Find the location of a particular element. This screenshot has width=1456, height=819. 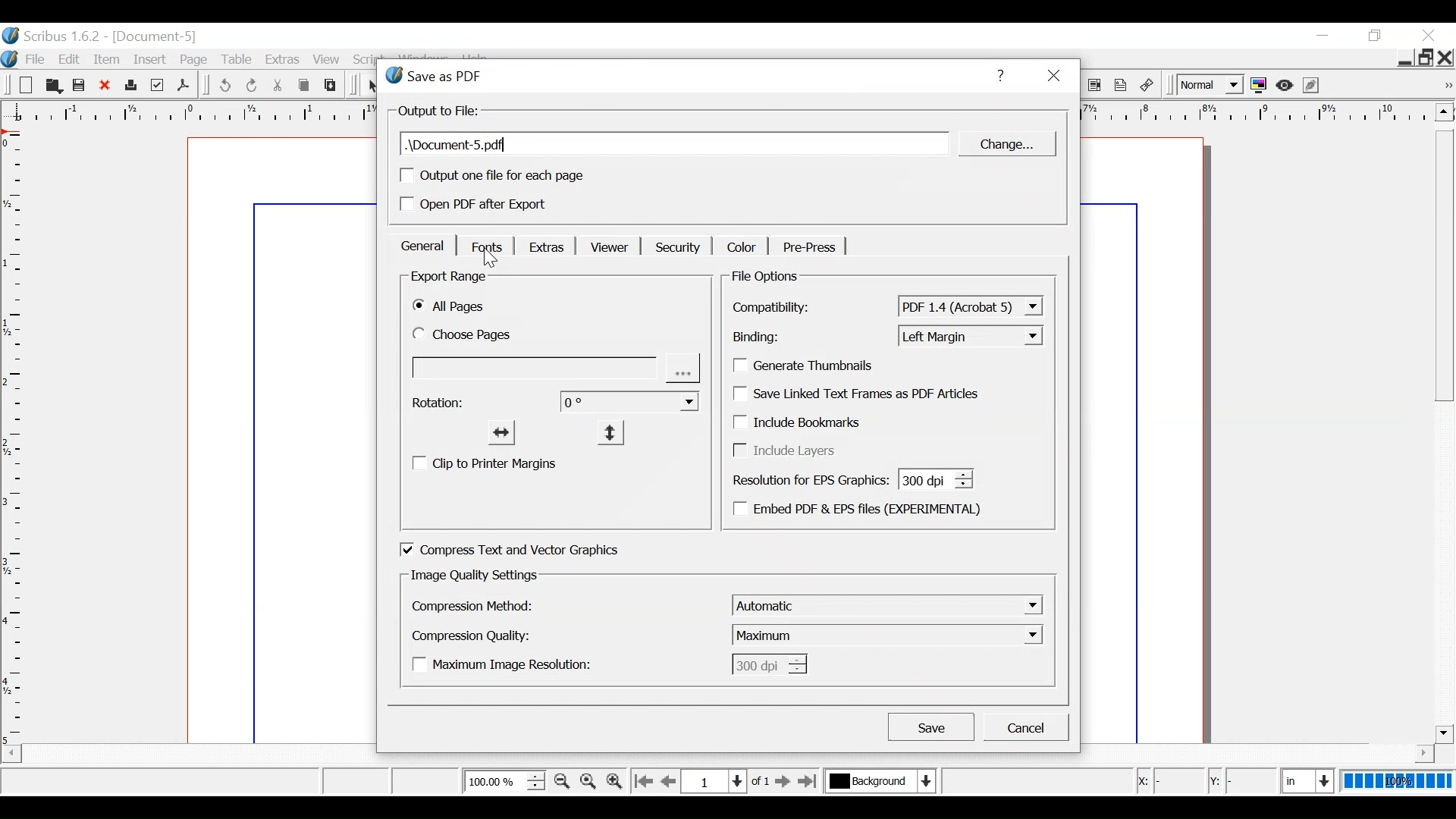

Binding dropdown is located at coordinates (971, 335).